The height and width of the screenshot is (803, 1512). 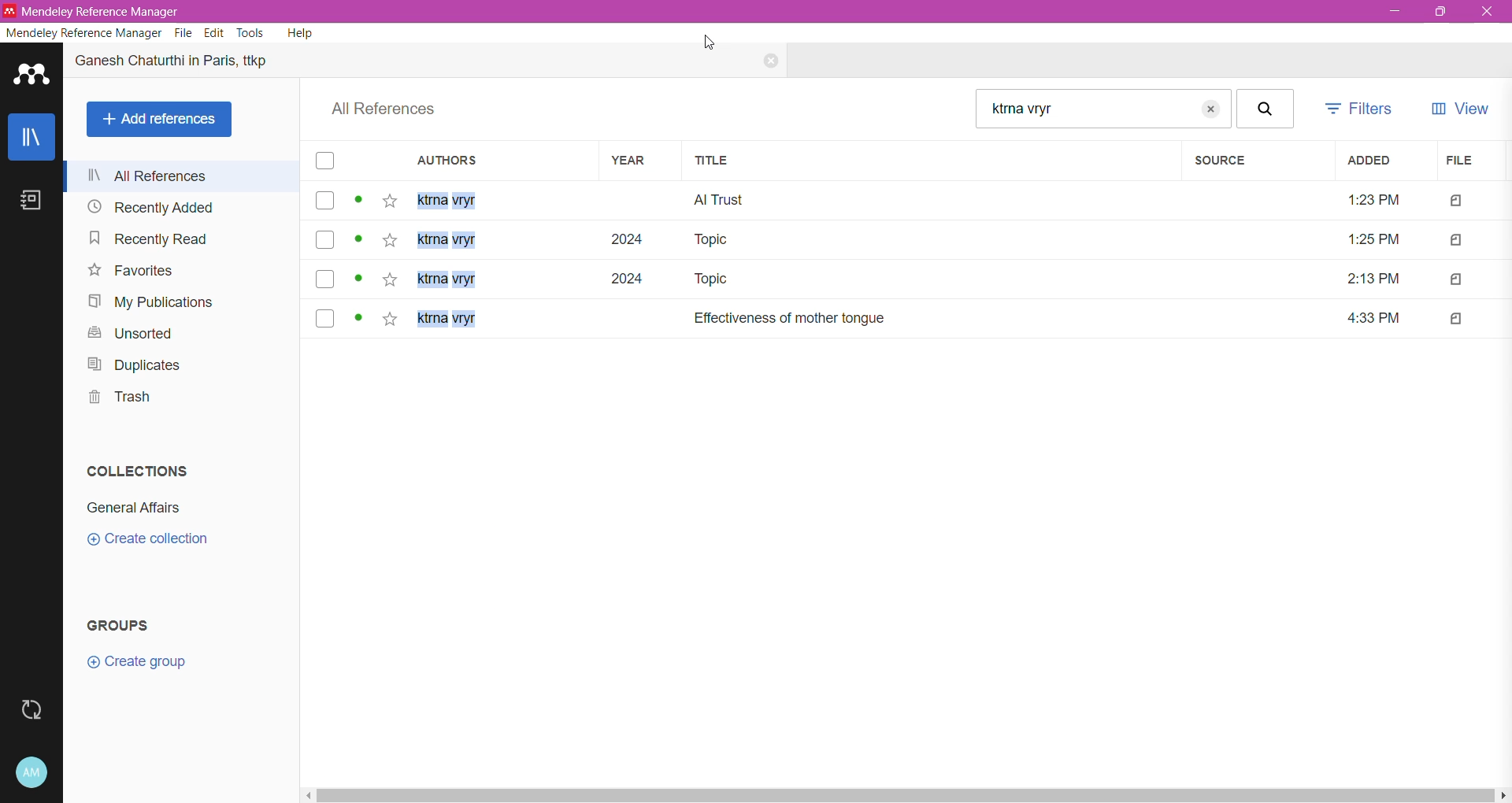 I want to click on view status, so click(x=361, y=320).